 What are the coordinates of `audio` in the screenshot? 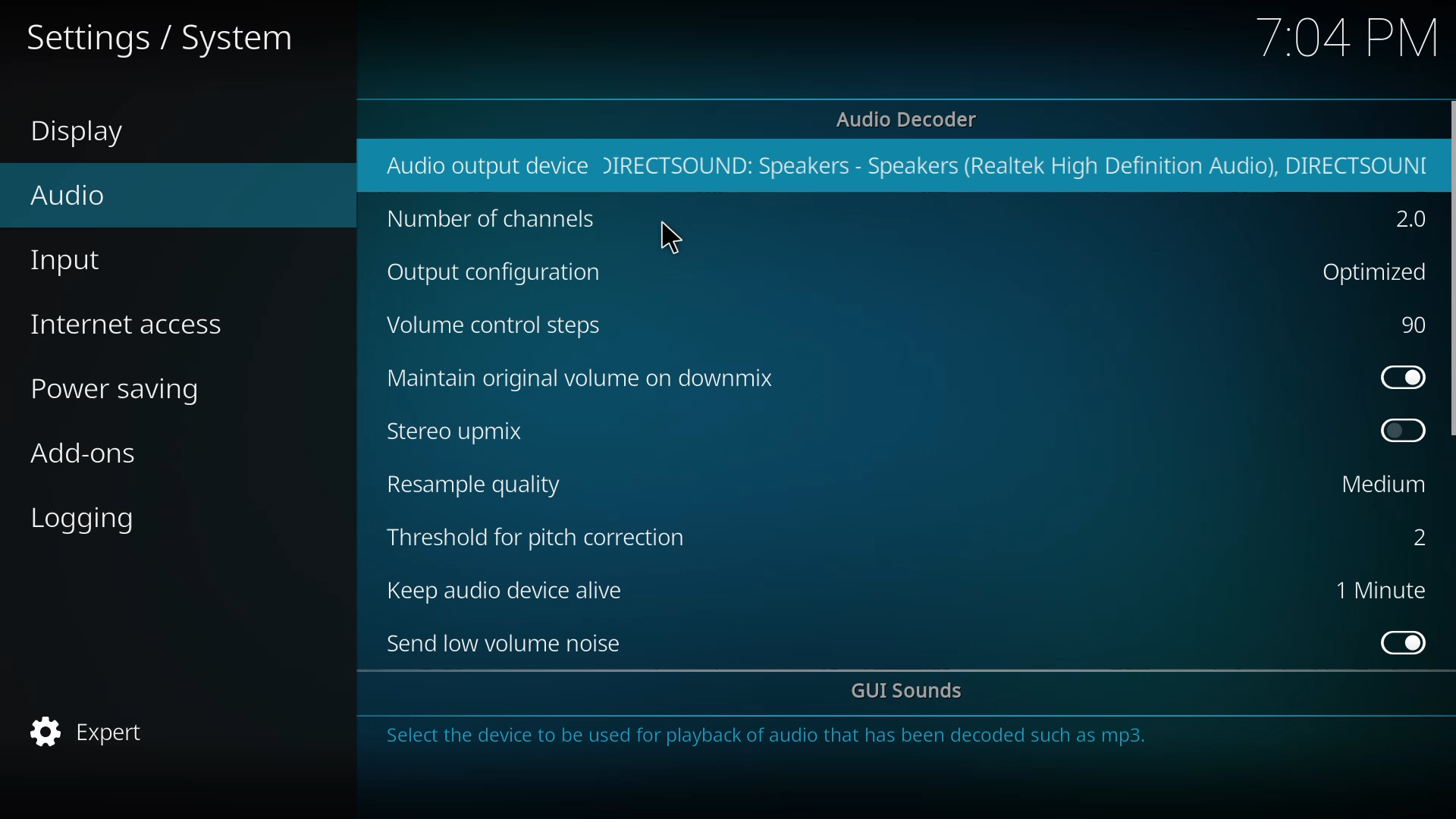 It's located at (70, 194).